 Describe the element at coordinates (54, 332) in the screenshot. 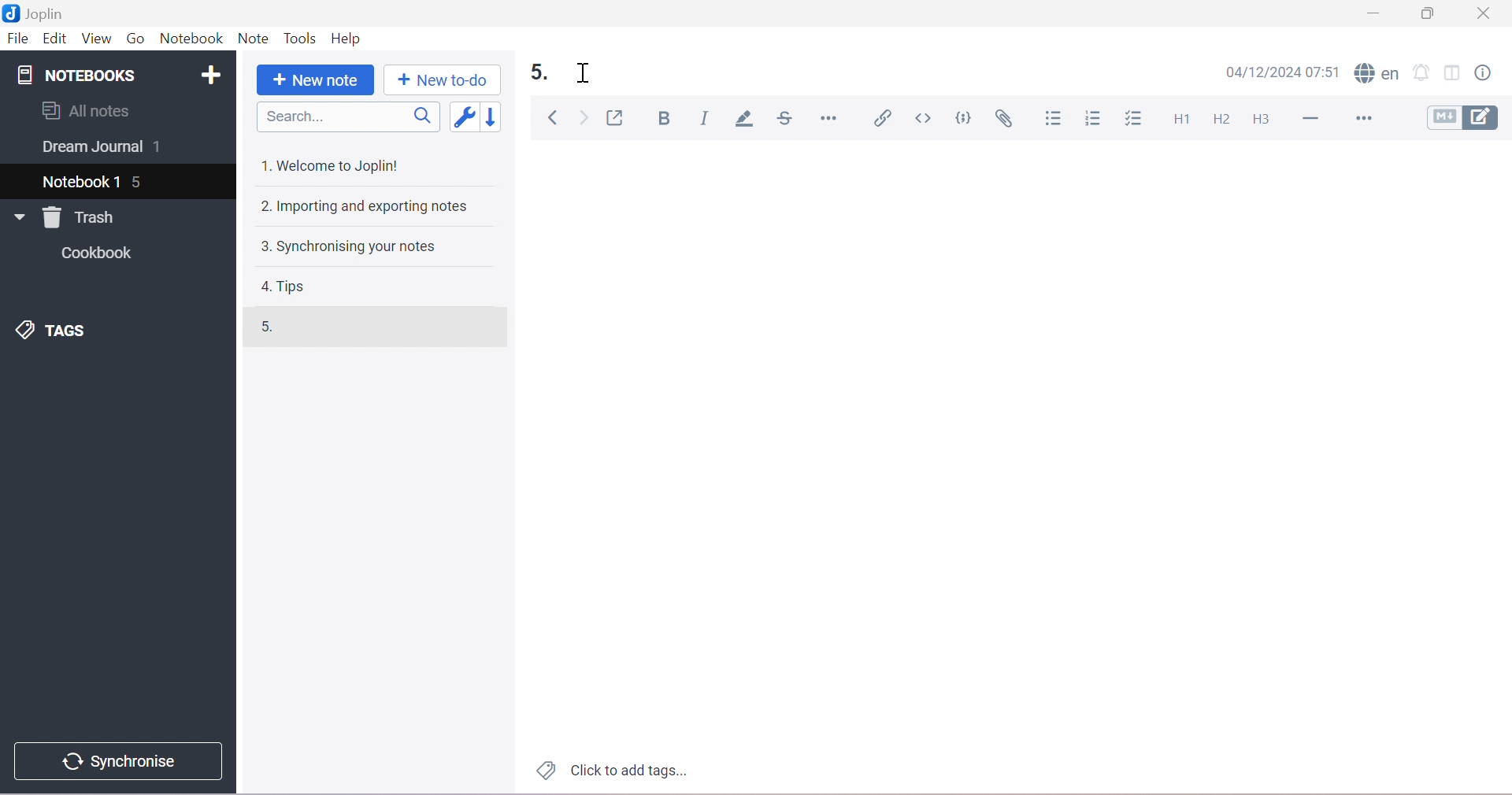

I see `TAGS` at that location.